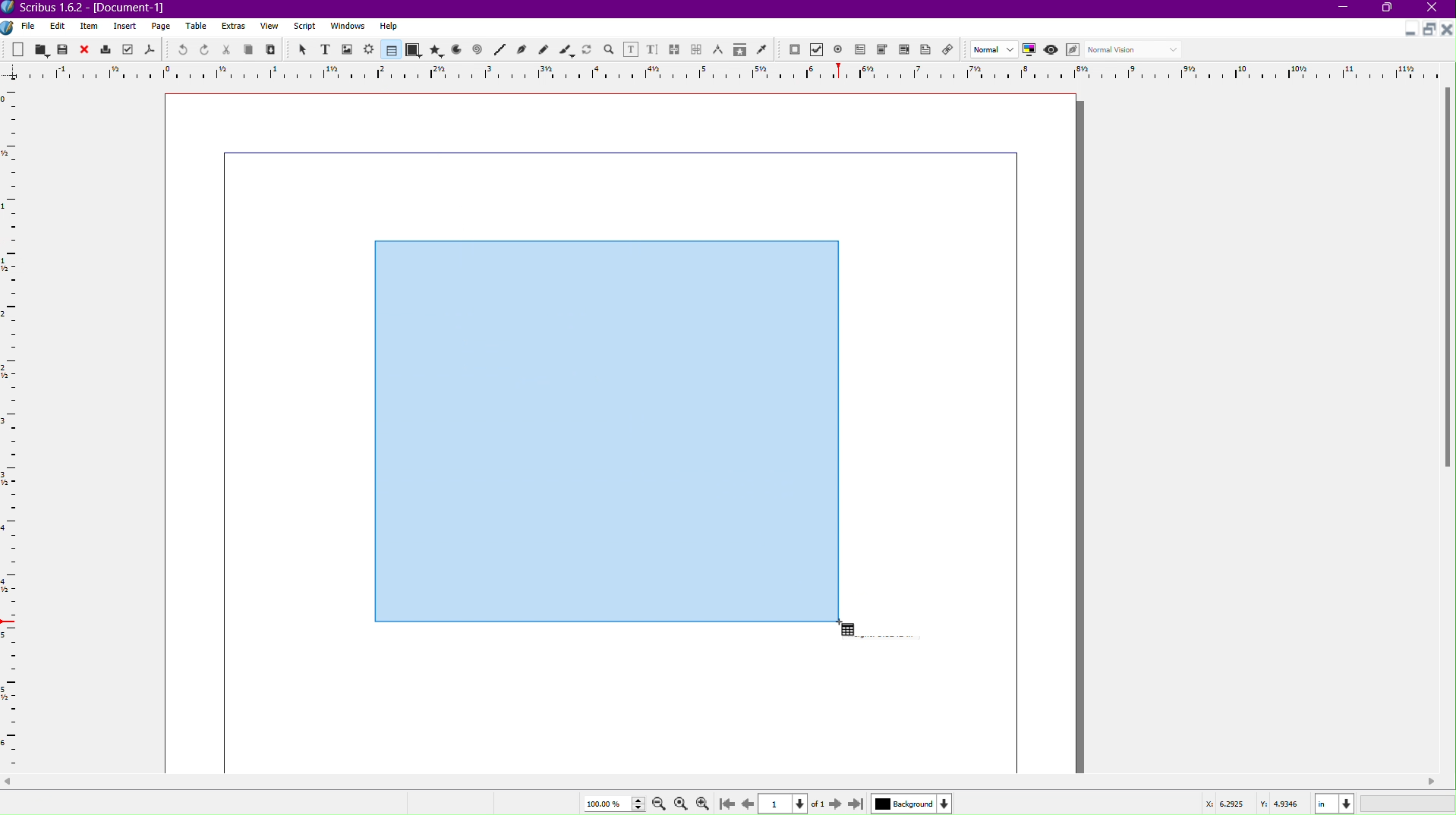 The width and height of the screenshot is (1456, 815). I want to click on Page Number, so click(785, 804).